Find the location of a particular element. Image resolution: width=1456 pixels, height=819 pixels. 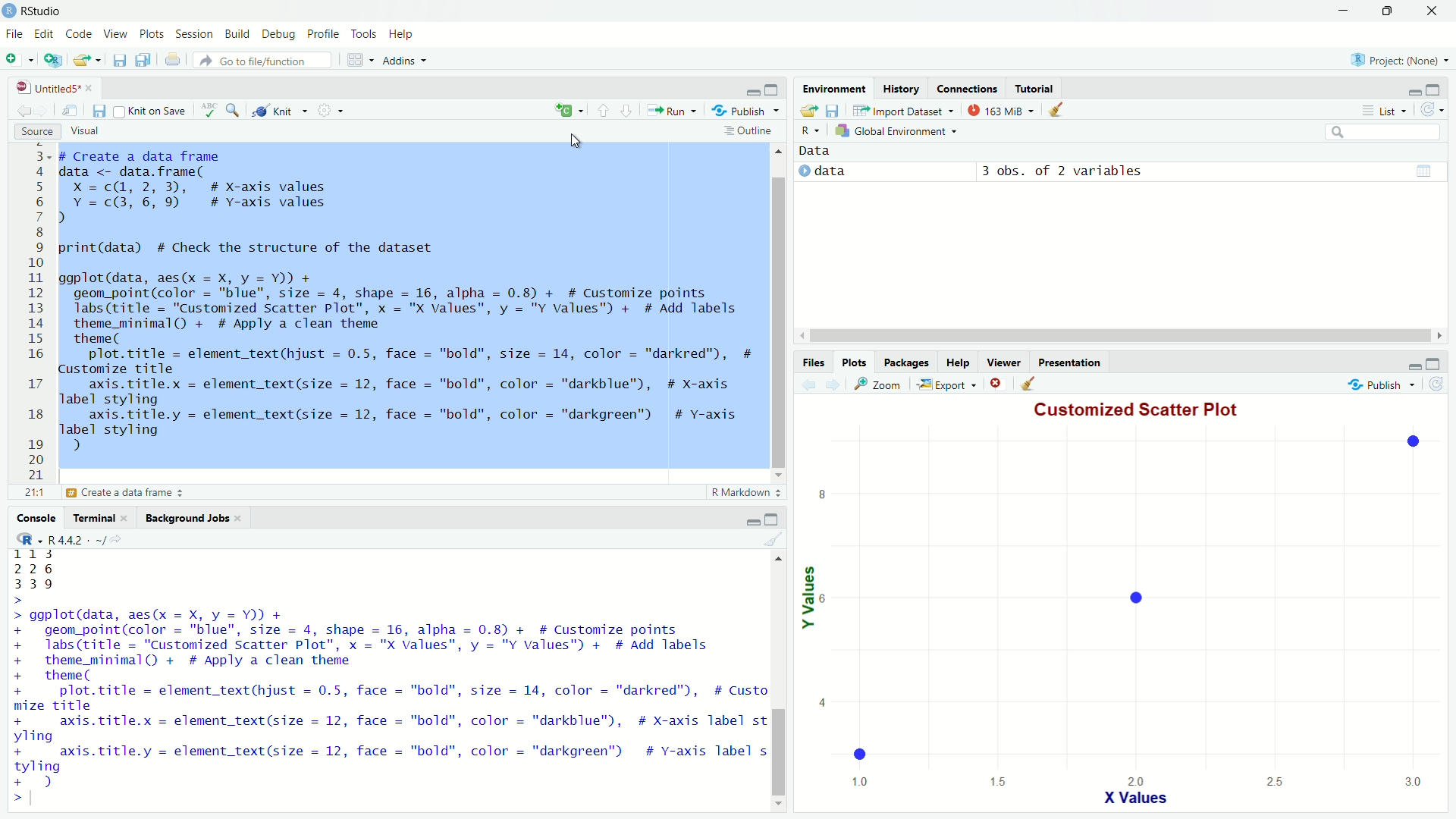

Cursor is located at coordinates (575, 146).